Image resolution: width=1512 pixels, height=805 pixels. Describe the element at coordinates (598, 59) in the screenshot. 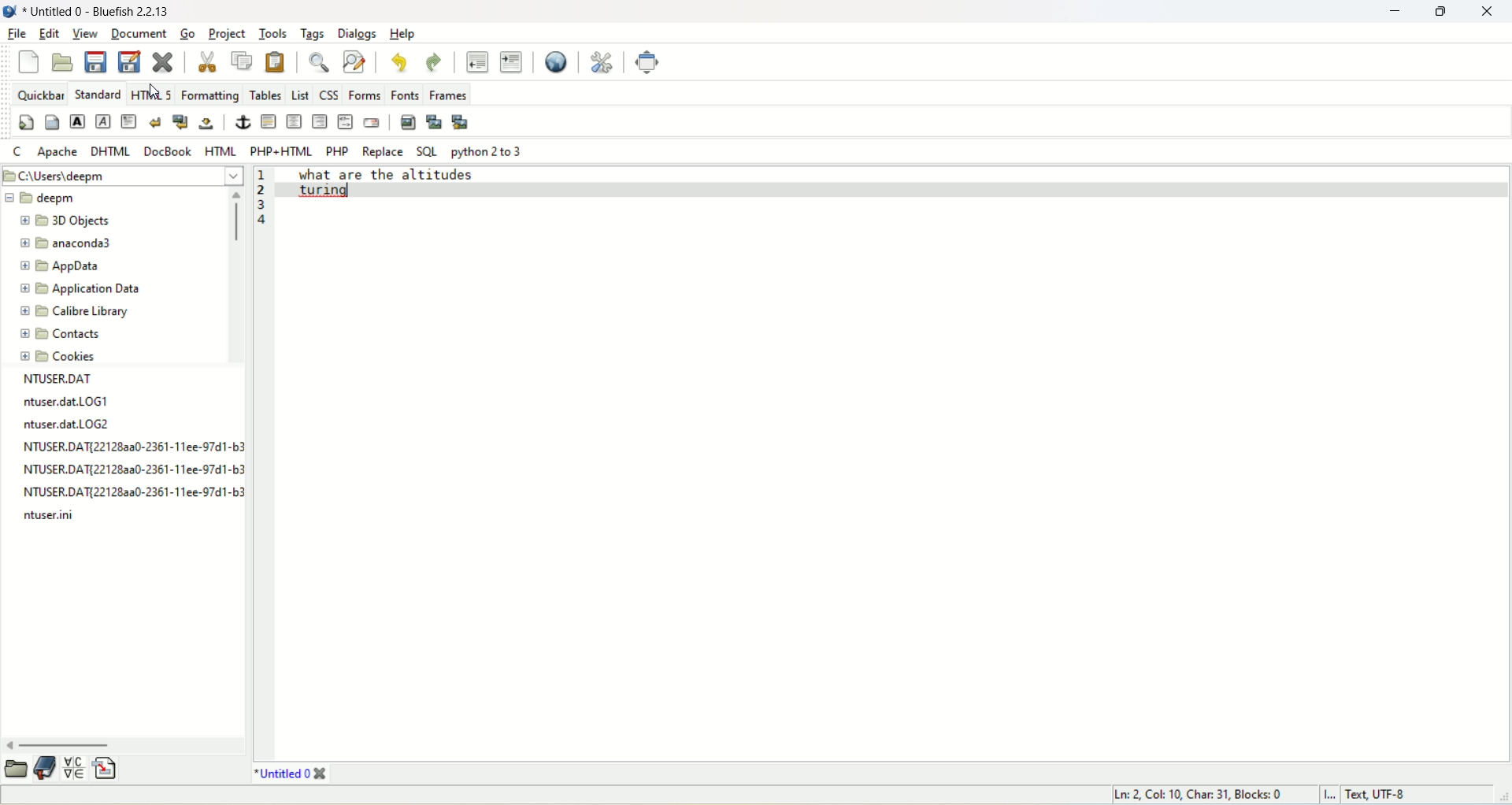

I see `edit preferences` at that location.